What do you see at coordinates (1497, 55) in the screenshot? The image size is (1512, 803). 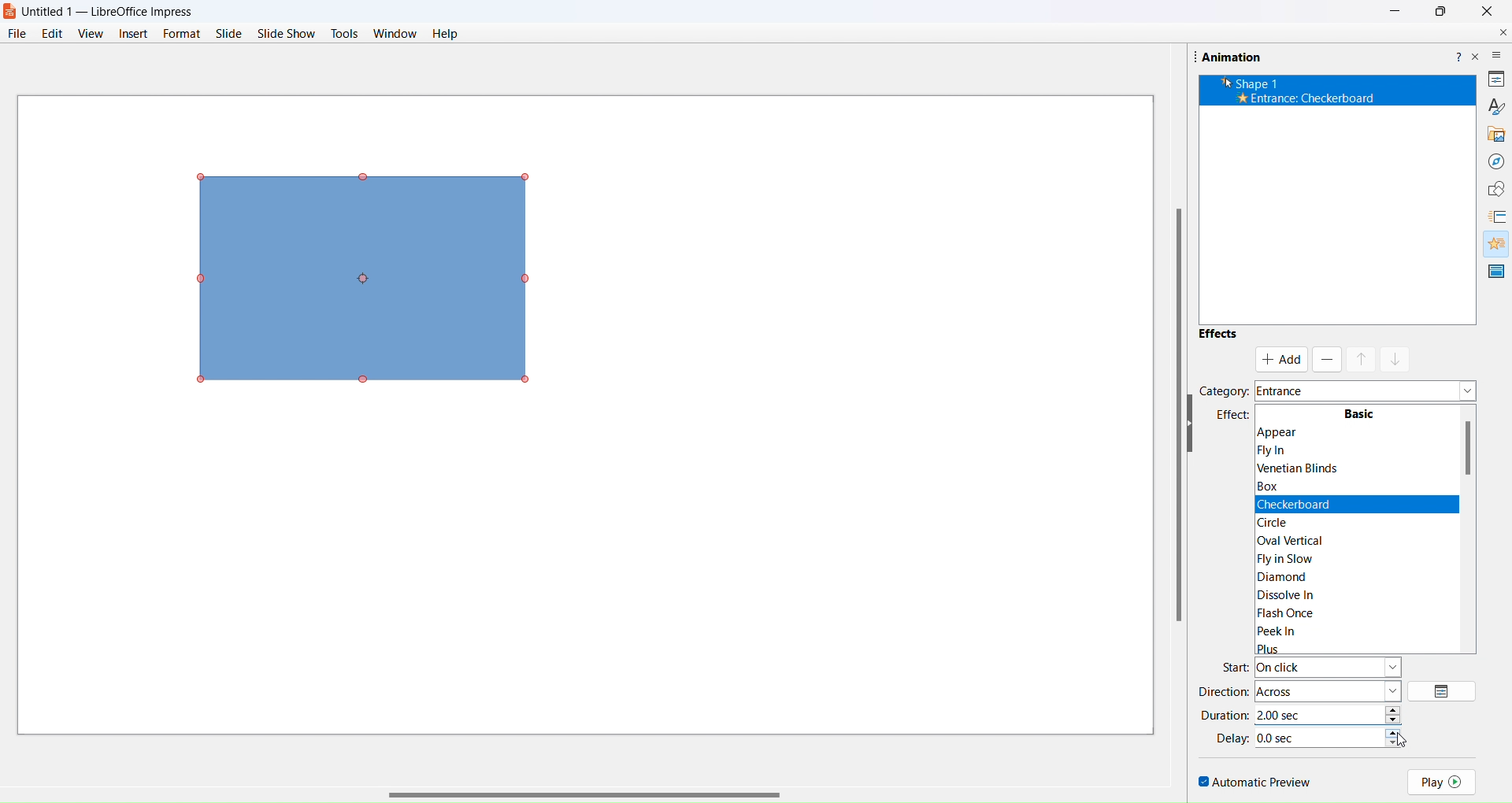 I see `more options` at bounding box center [1497, 55].